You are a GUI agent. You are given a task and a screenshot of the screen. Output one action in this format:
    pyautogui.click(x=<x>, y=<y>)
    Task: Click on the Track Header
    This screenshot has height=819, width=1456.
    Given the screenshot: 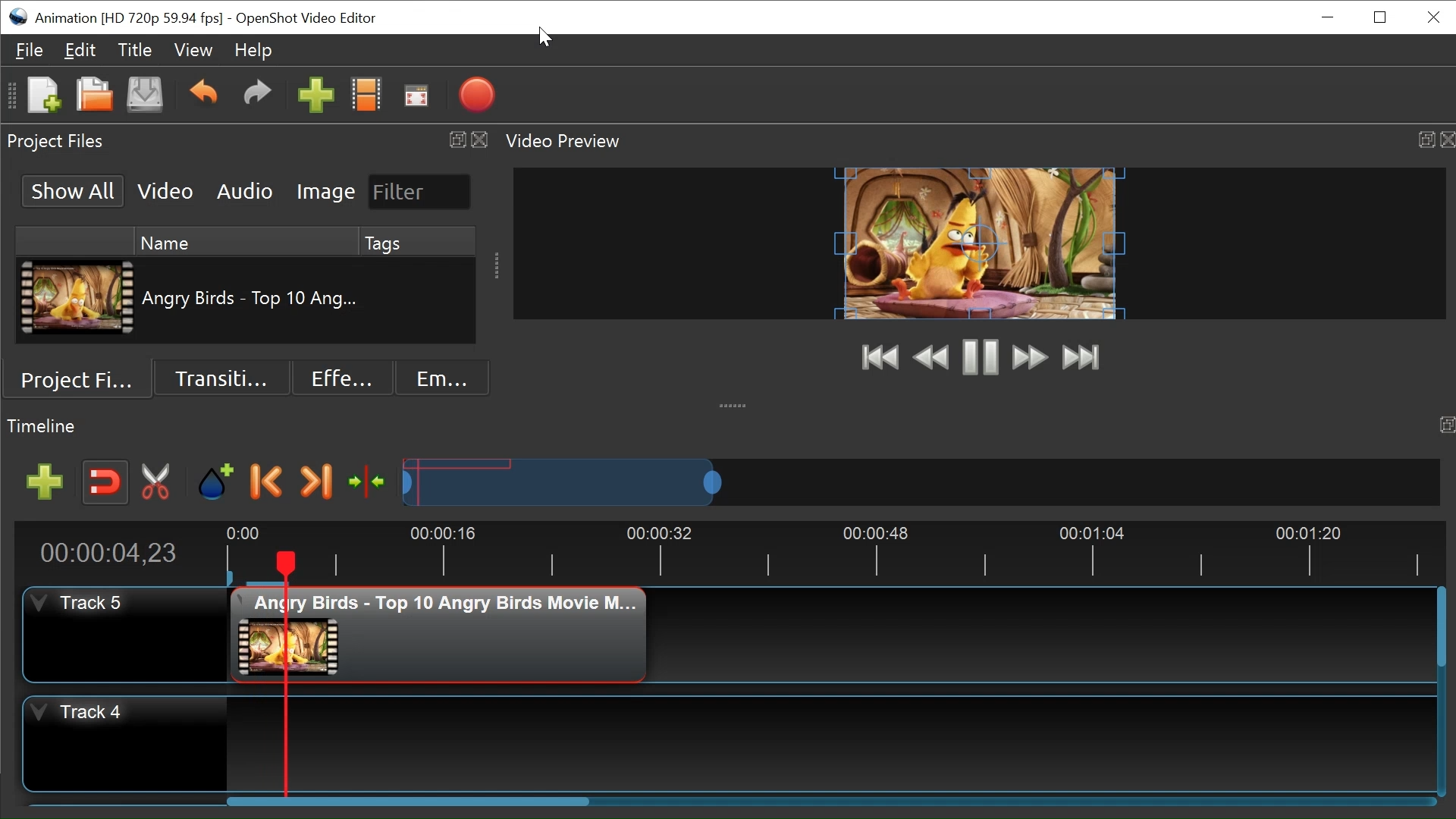 What is the action you would take?
    pyautogui.click(x=124, y=634)
    